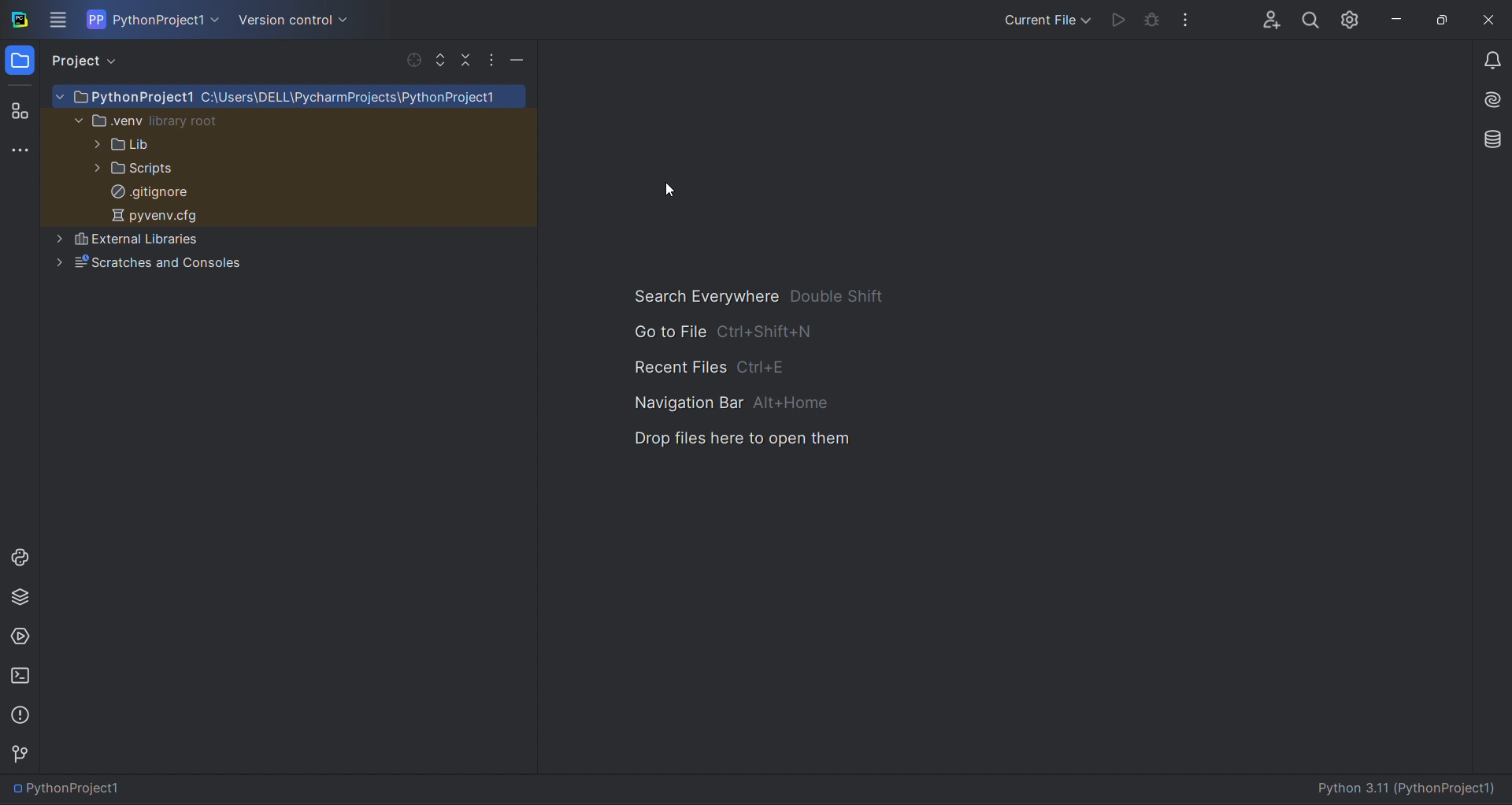  What do you see at coordinates (1192, 18) in the screenshot?
I see `options` at bounding box center [1192, 18].